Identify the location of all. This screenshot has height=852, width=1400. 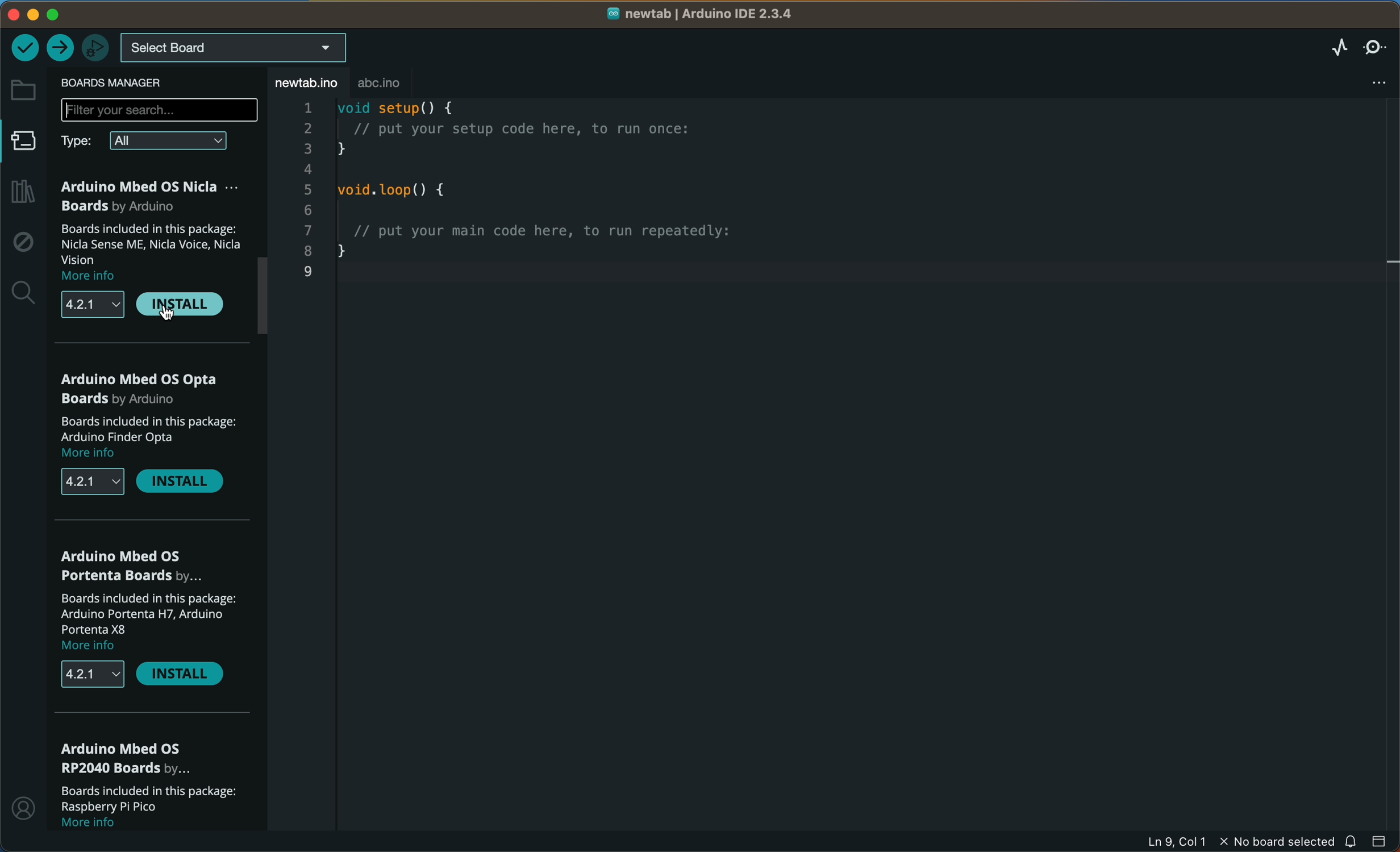
(168, 143).